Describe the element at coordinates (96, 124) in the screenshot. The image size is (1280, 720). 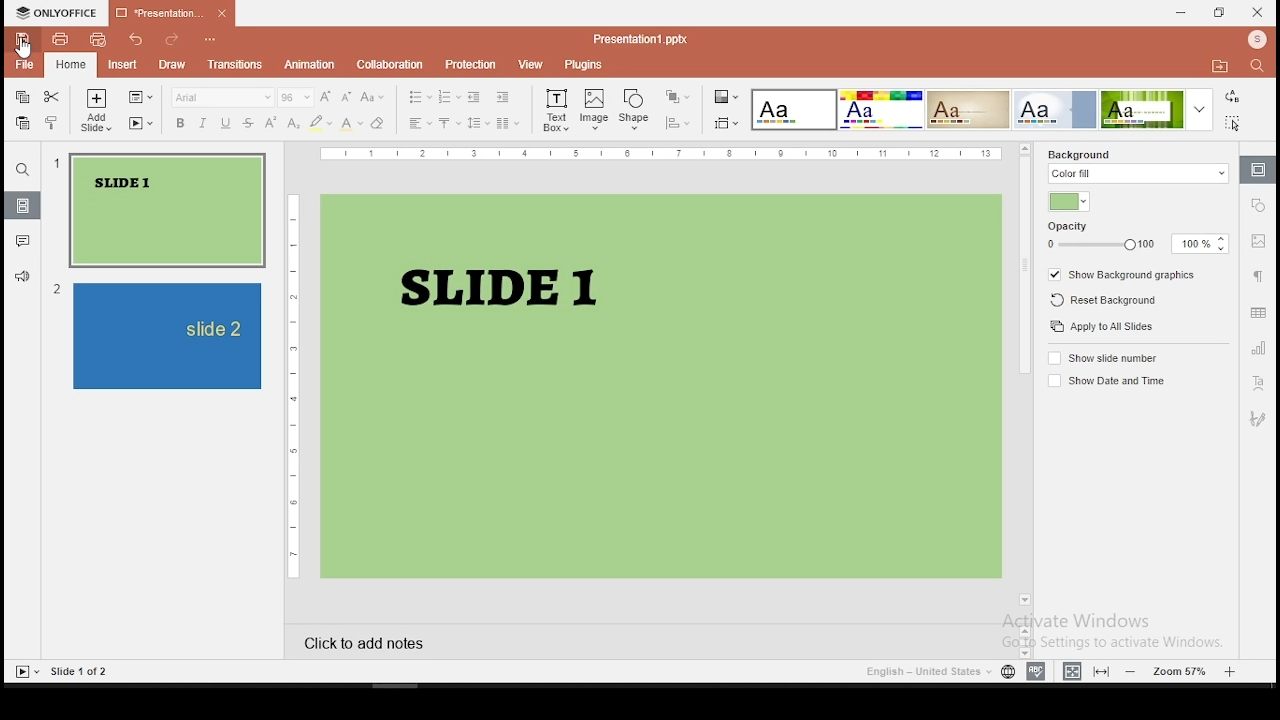
I see `add slide with theme` at that location.